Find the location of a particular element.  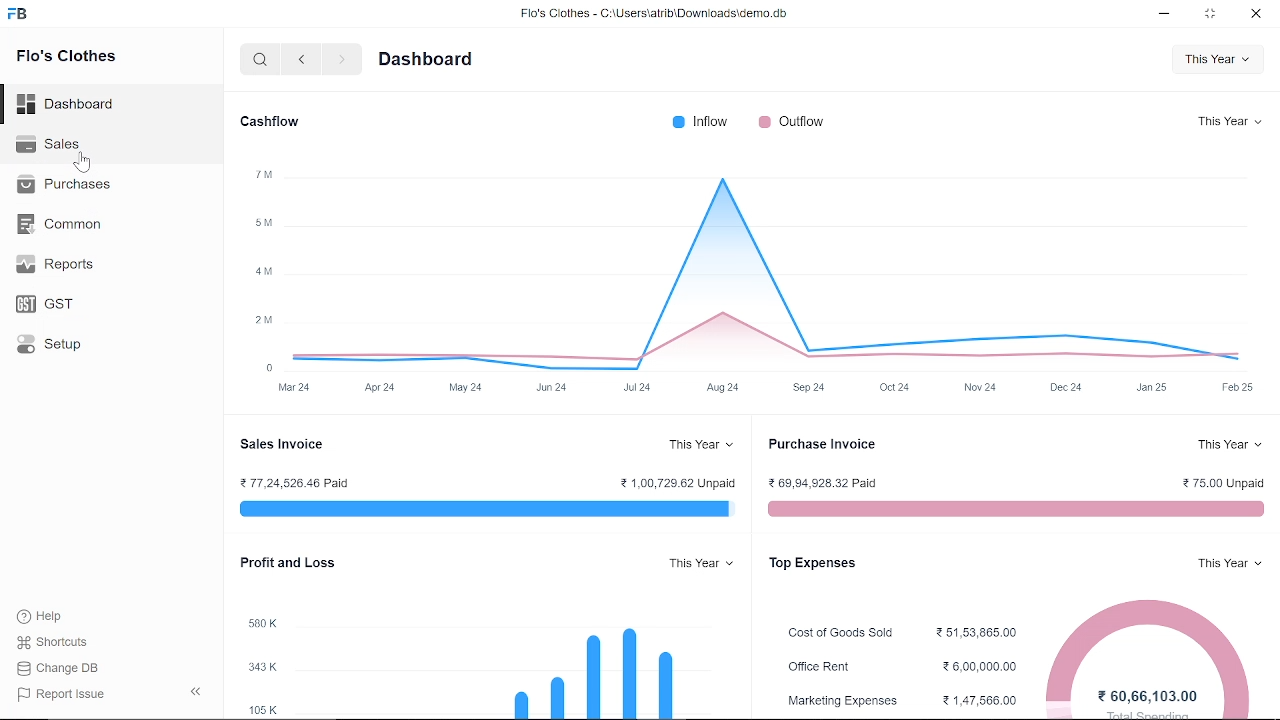

bar graph is located at coordinates (554, 668).